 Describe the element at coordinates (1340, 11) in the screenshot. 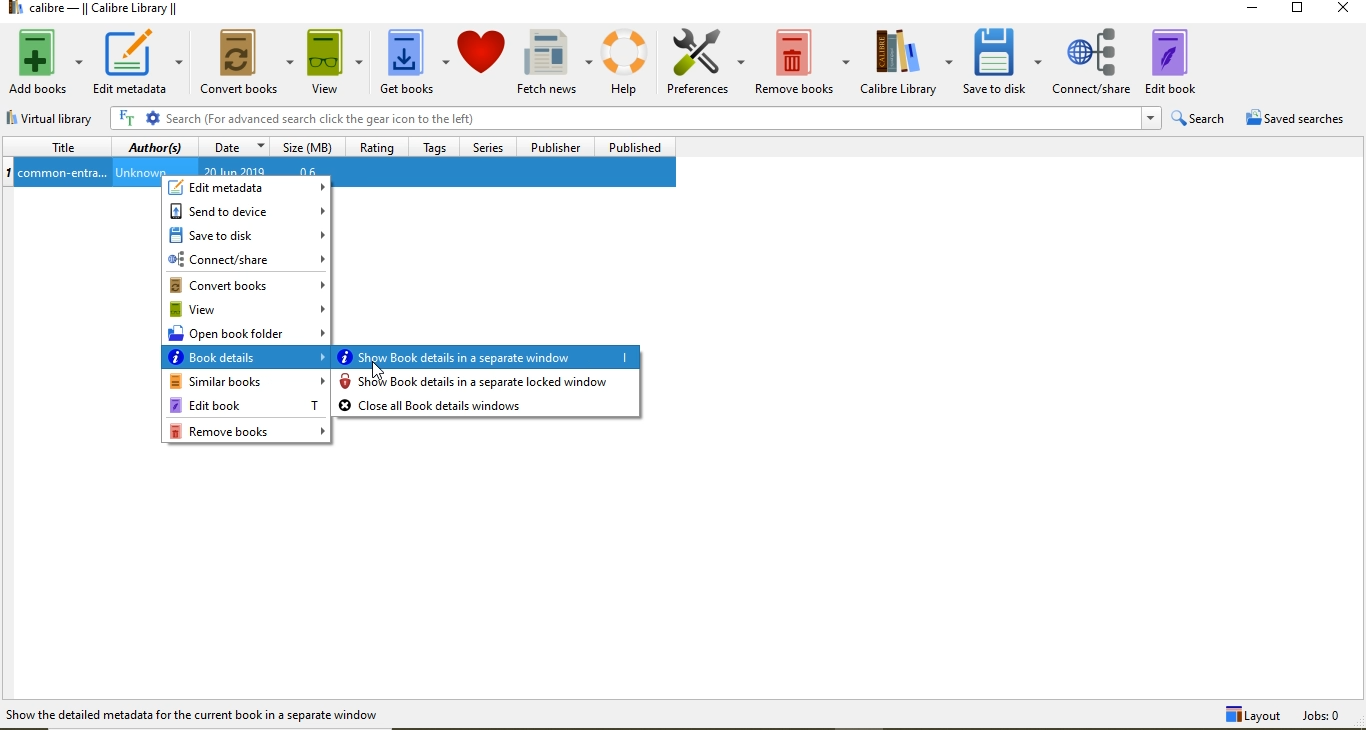

I see `Close` at that location.